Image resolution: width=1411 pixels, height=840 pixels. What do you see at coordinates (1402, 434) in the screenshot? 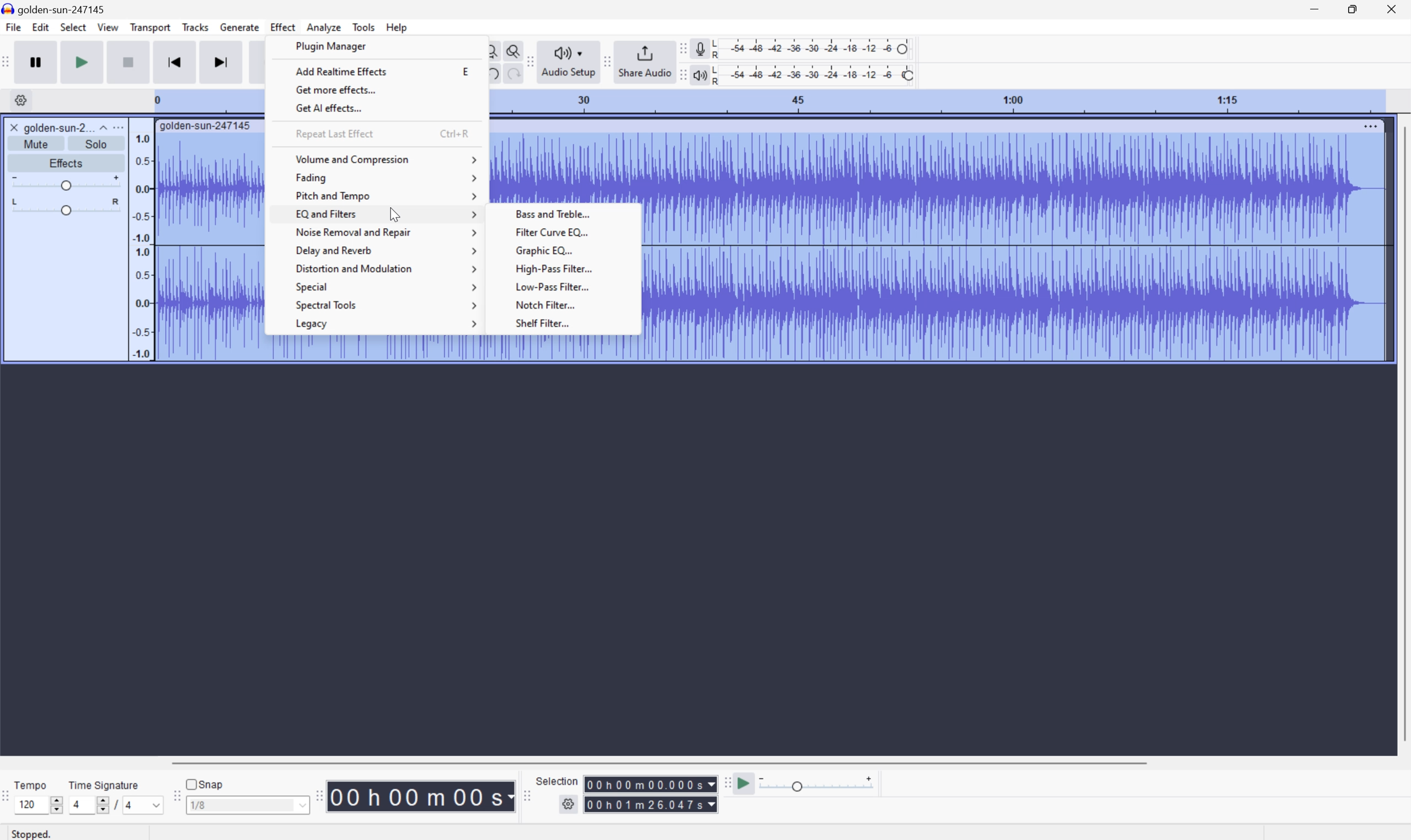
I see `Scroll Bar` at bounding box center [1402, 434].